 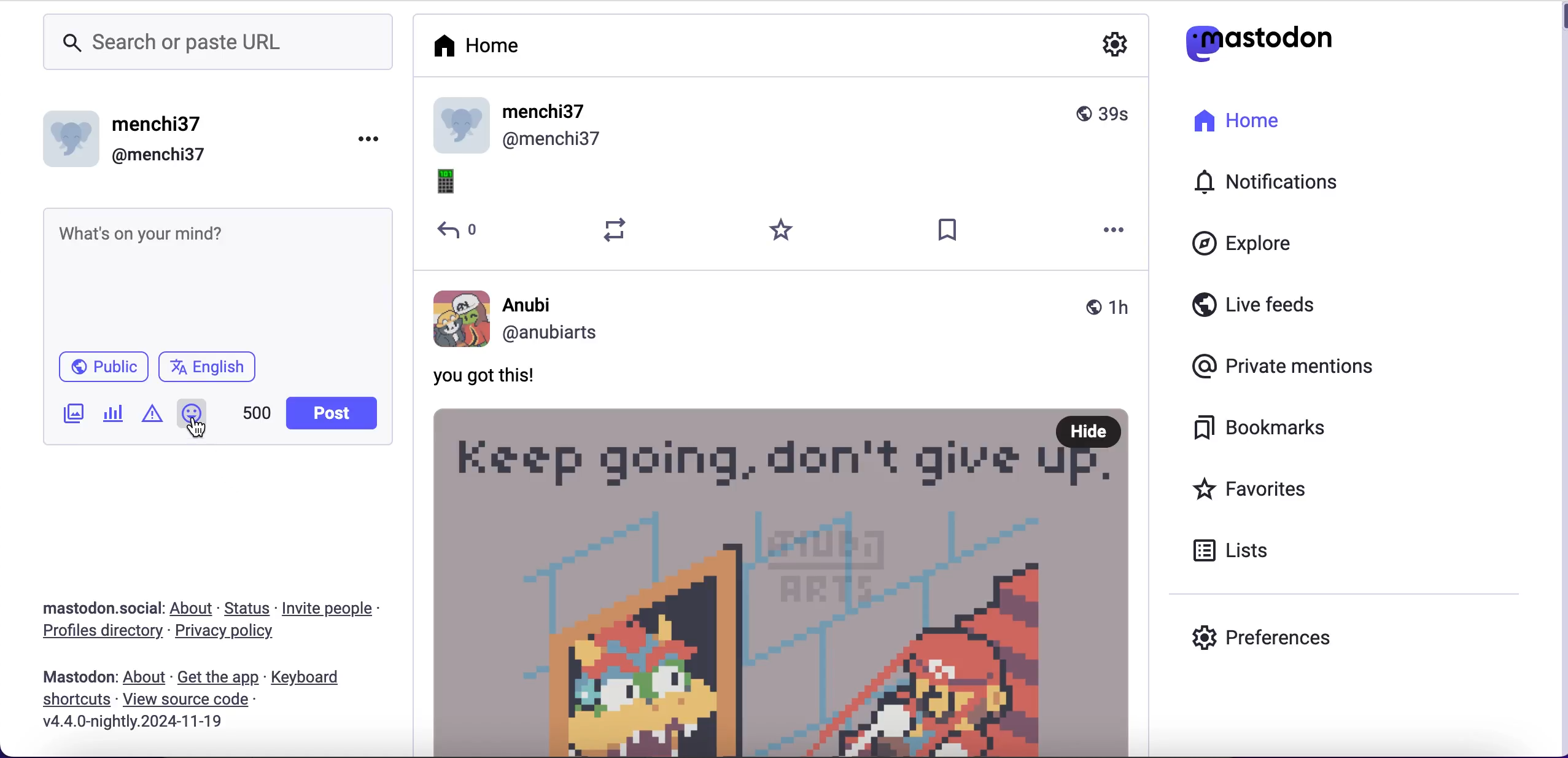 I want to click on mastodon logo, so click(x=1252, y=42).